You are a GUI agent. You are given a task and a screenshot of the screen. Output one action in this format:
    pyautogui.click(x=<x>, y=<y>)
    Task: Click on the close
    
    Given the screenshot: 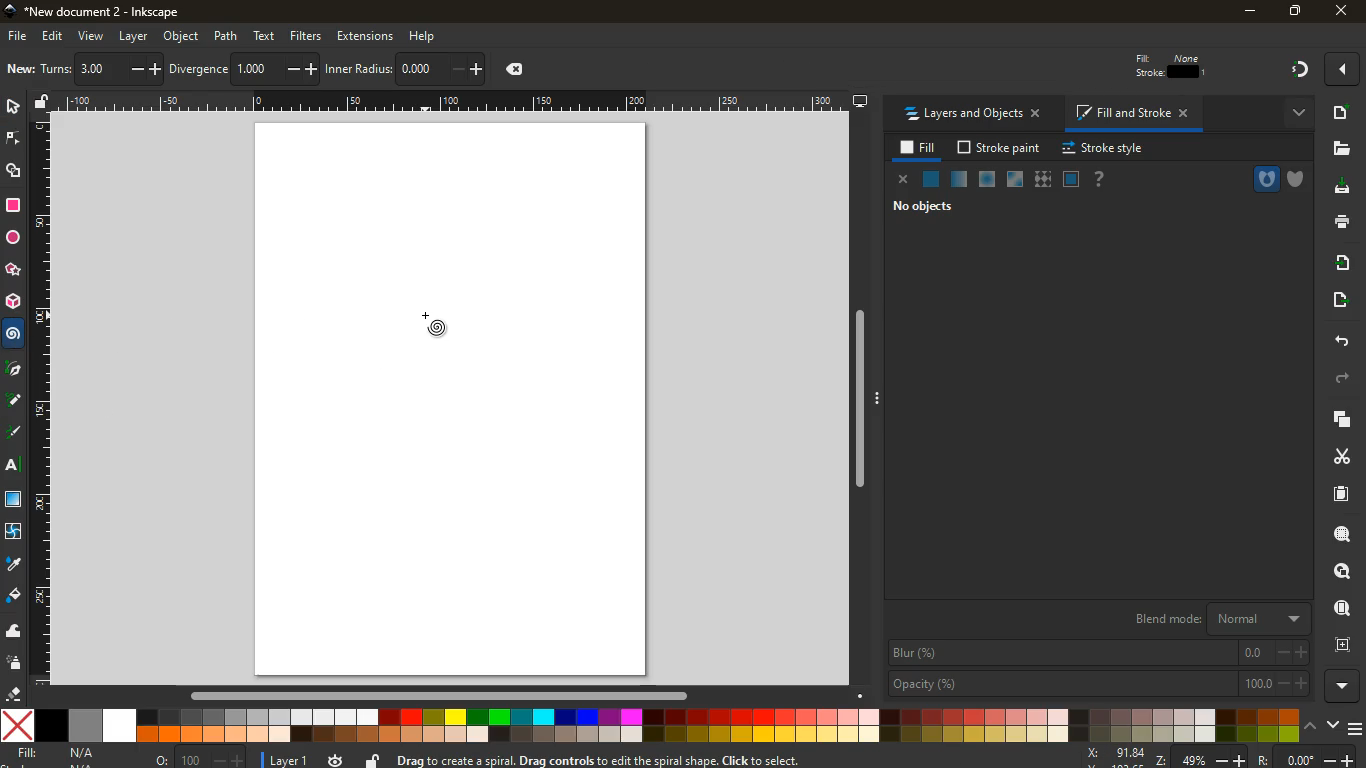 What is the action you would take?
    pyautogui.click(x=903, y=179)
    